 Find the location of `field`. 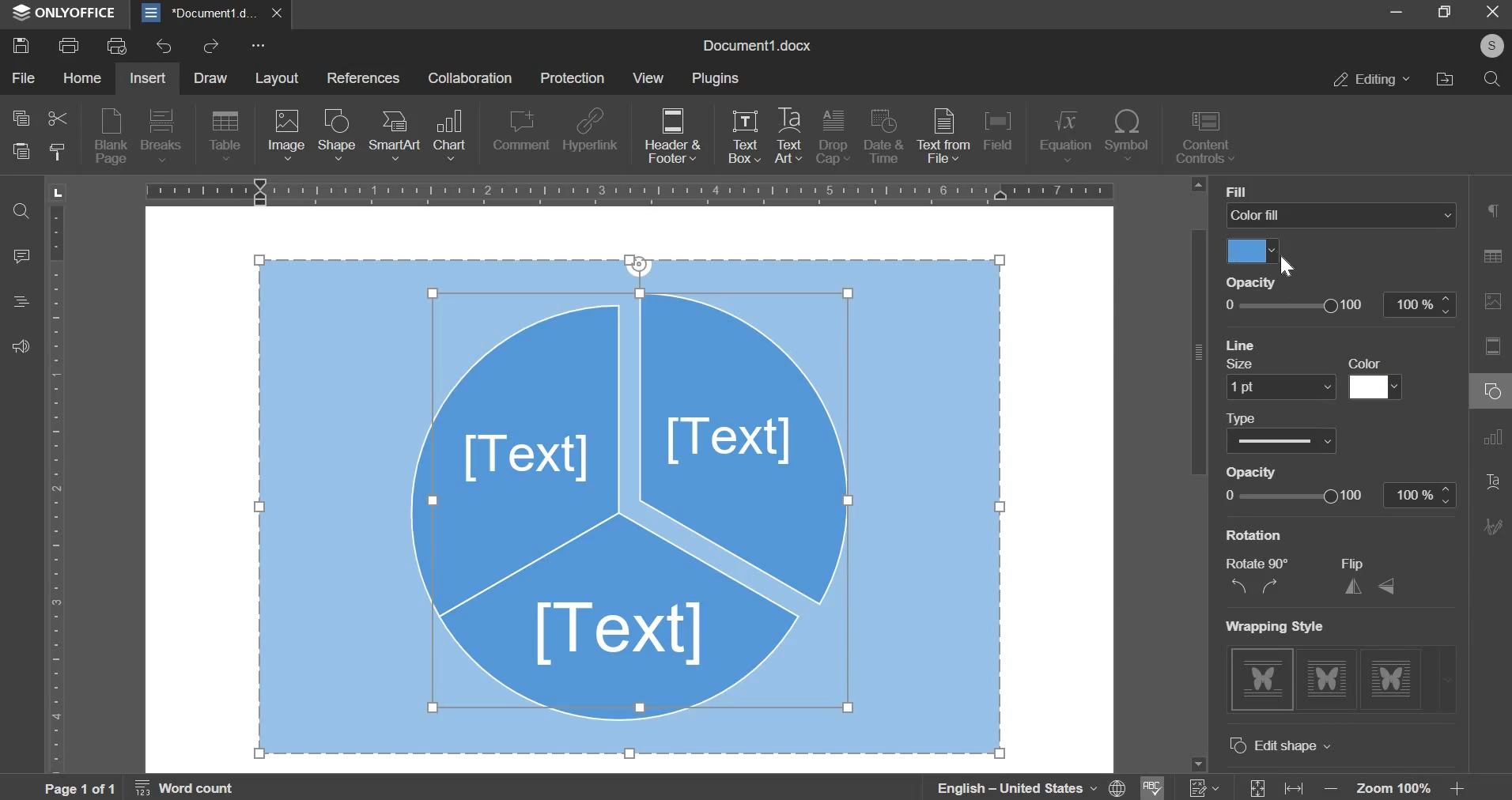

field is located at coordinates (997, 130).